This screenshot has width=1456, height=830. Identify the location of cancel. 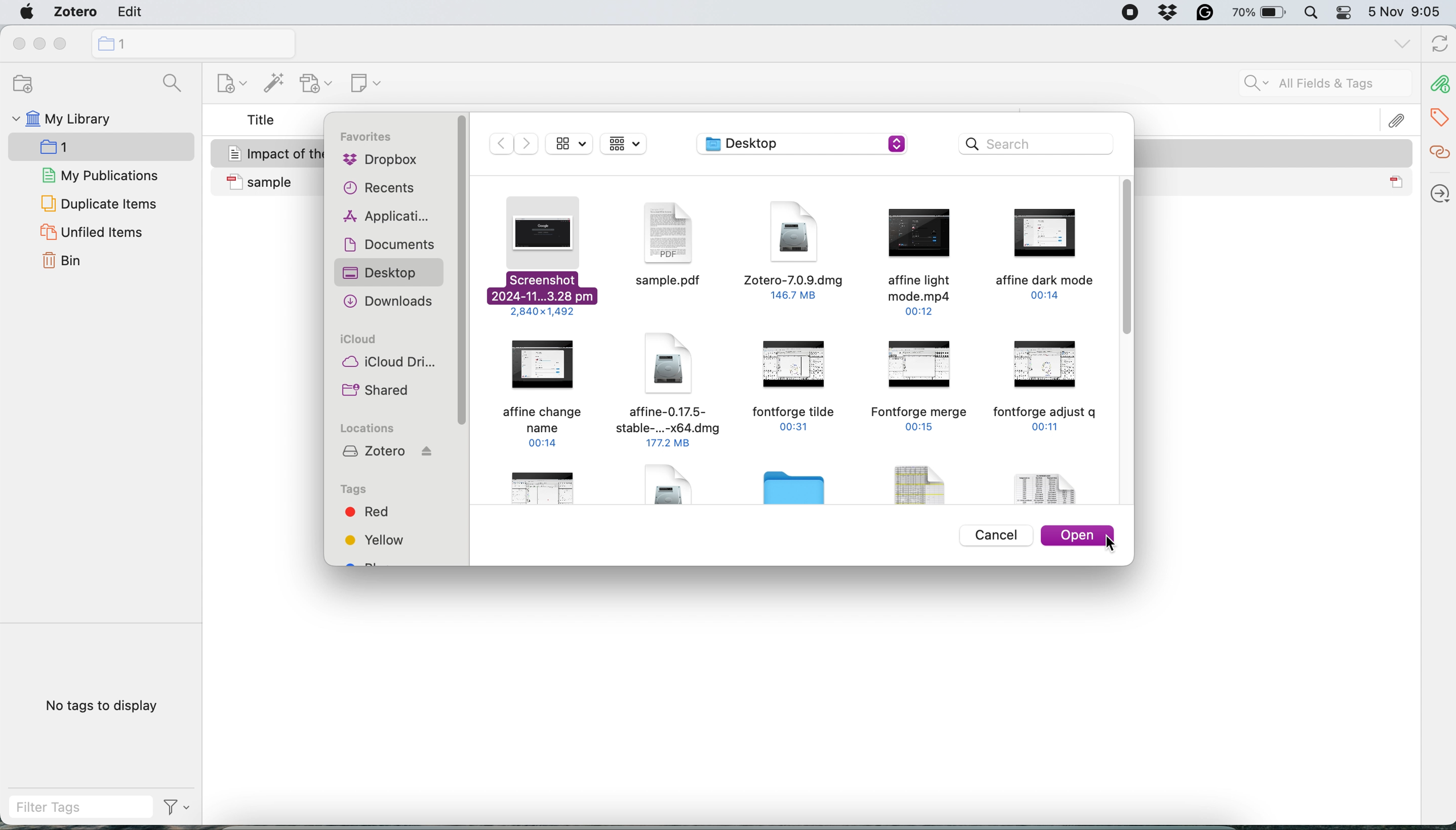
(999, 535).